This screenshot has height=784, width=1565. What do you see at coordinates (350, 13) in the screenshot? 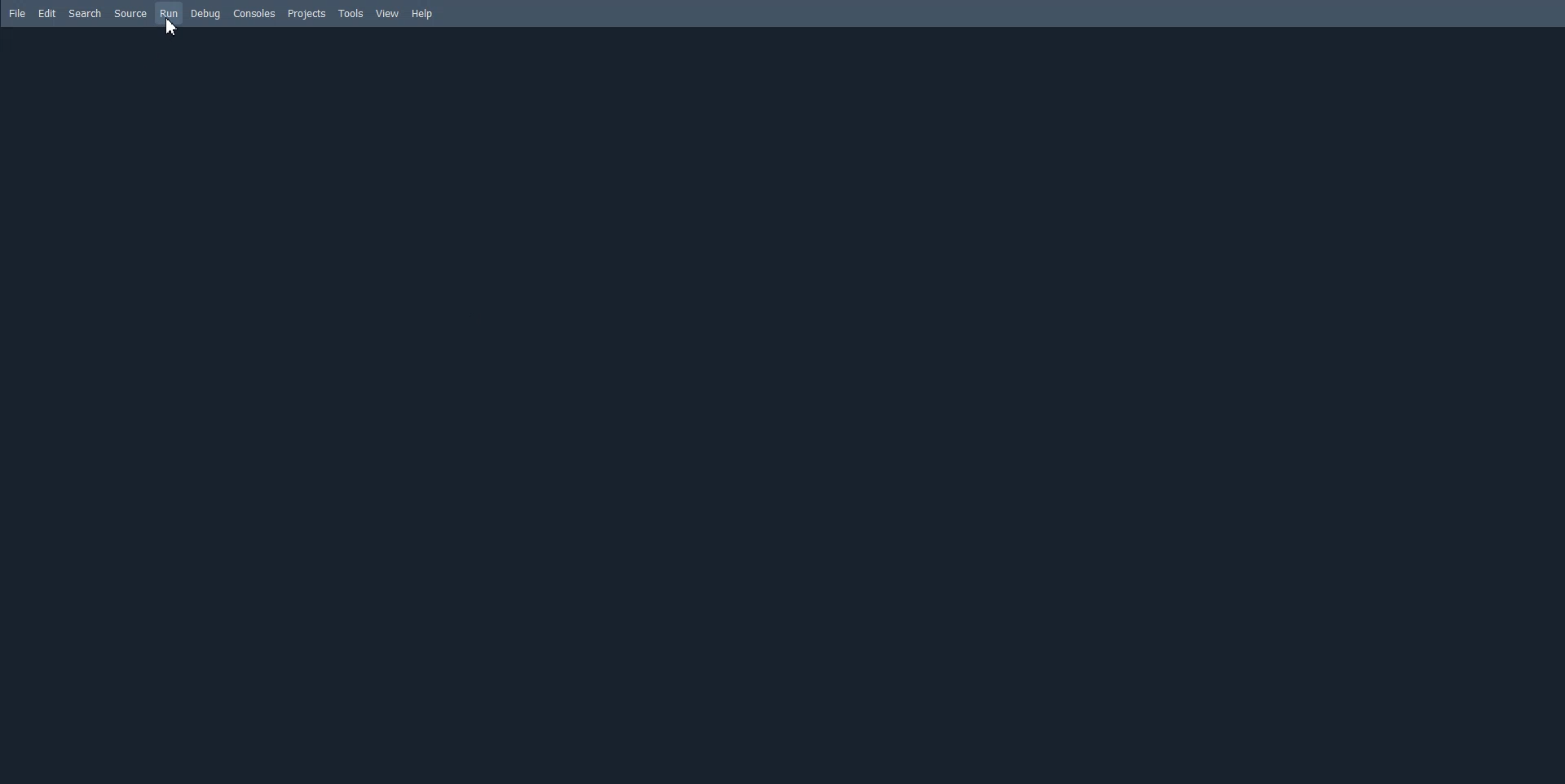
I see `Tools` at bounding box center [350, 13].